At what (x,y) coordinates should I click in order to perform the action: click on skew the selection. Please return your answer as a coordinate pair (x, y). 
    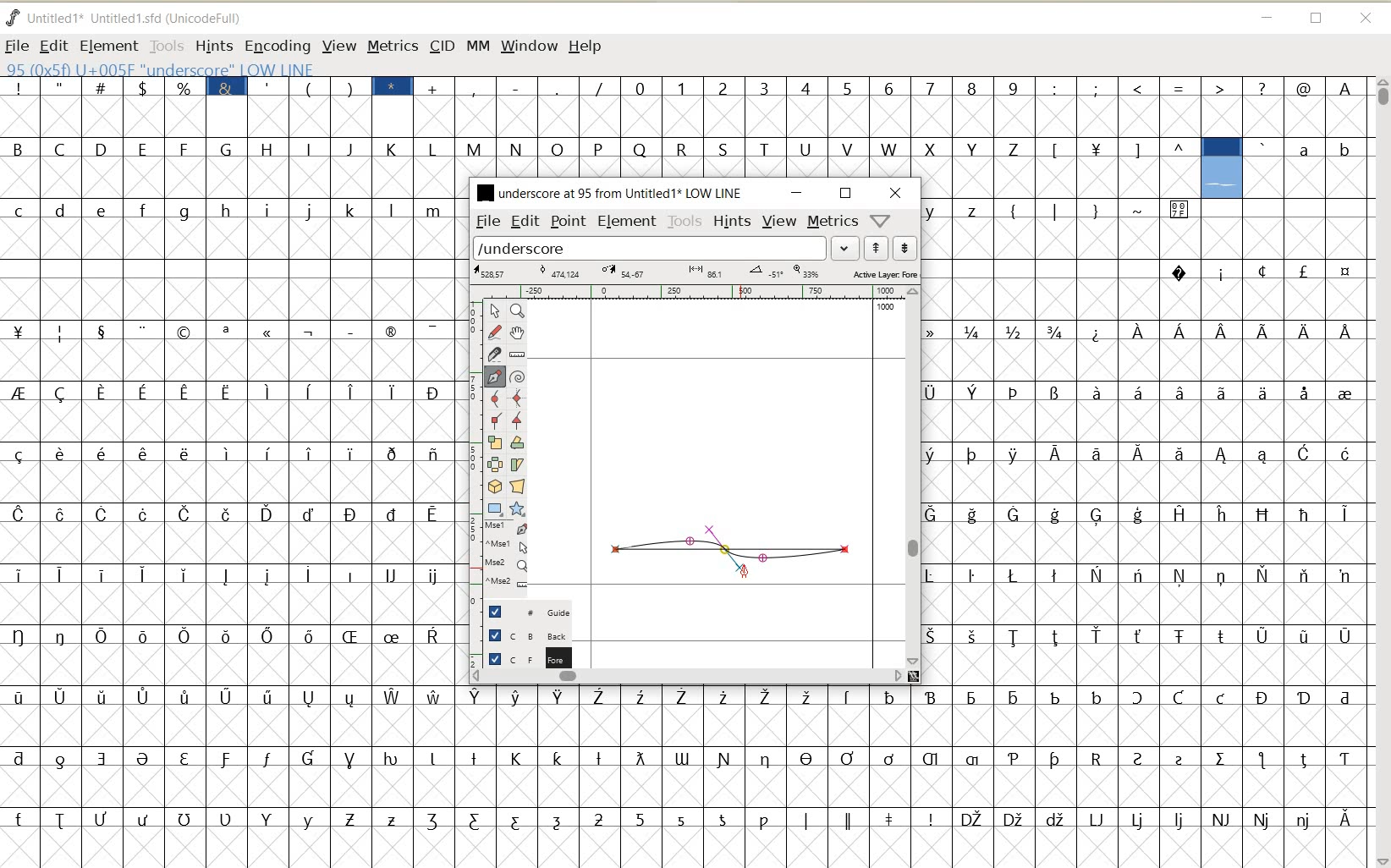
    Looking at the image, I should click on (516, 465).